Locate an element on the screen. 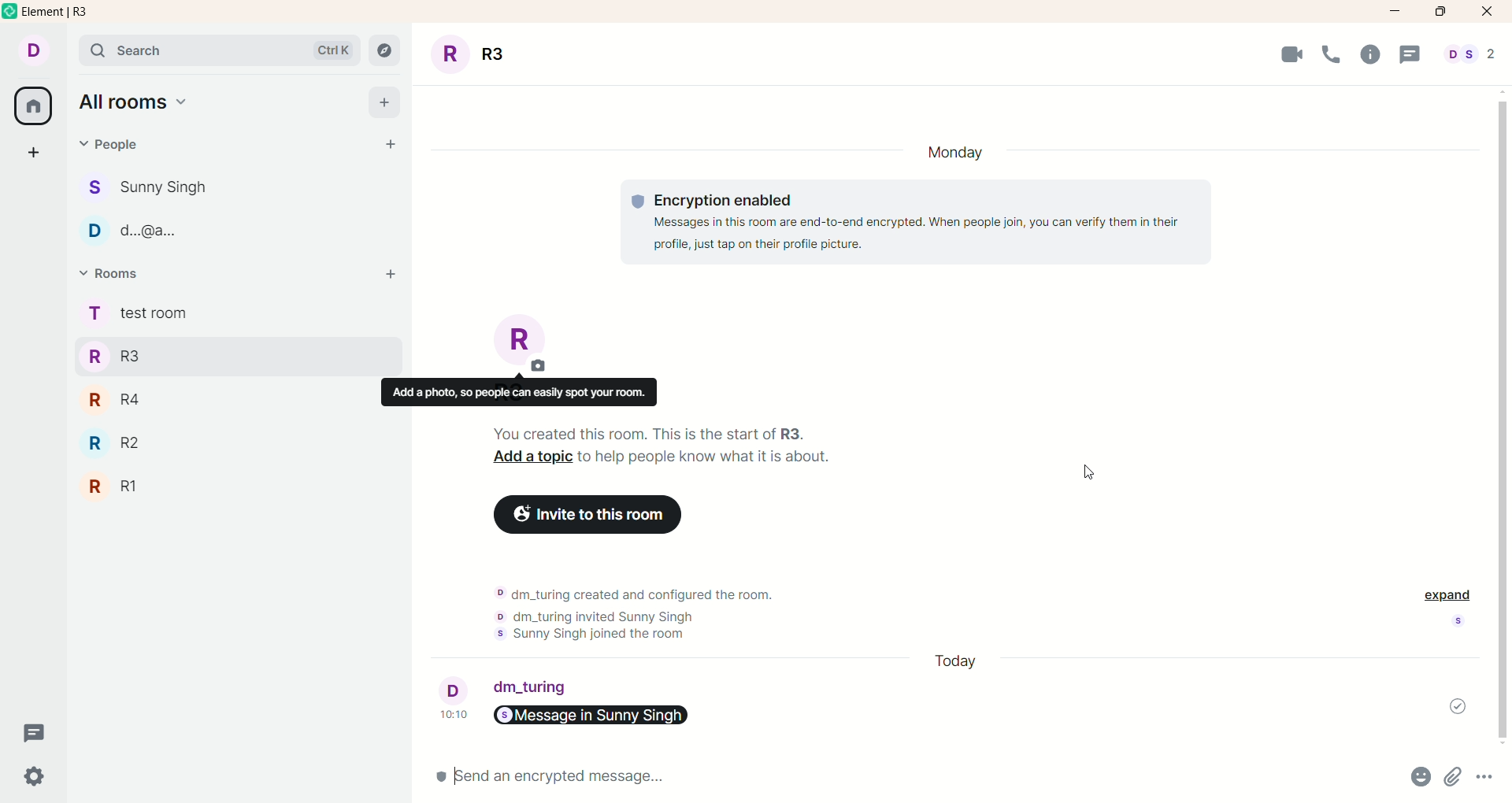  text is located at coordinates (665, 445).